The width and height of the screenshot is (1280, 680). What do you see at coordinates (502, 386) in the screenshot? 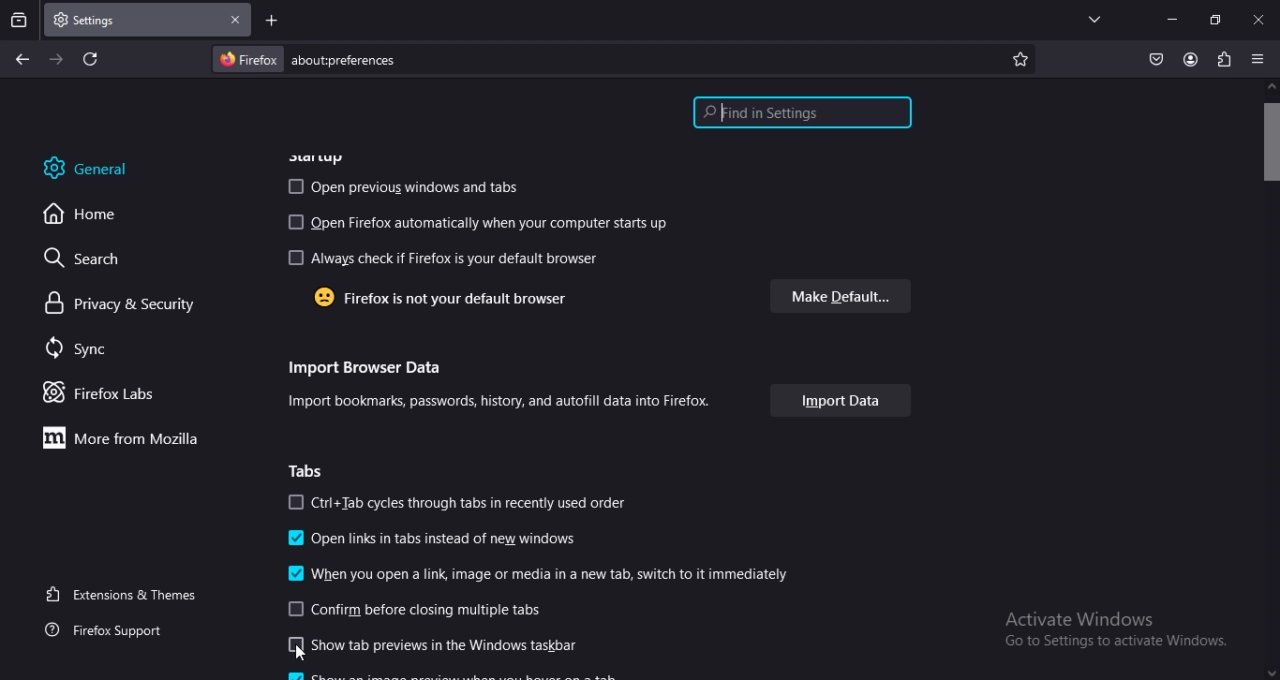
I see `Import Browser Data
Import bookmarks, passwords, history, and autofill data into Firefox.` at bounding box center [502, 386].